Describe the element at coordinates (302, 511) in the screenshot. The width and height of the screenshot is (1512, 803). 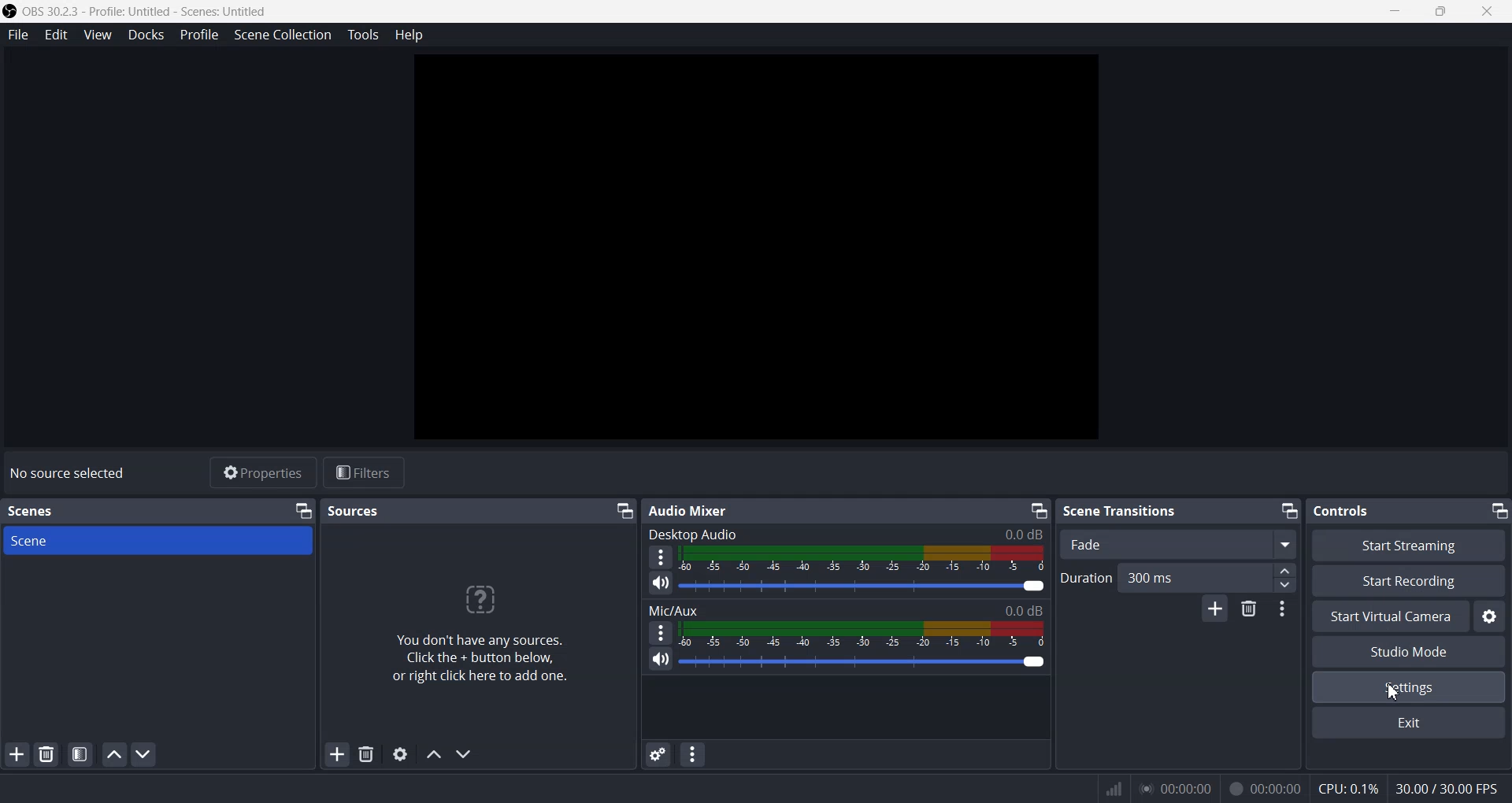
I see `Minimize` at that location.